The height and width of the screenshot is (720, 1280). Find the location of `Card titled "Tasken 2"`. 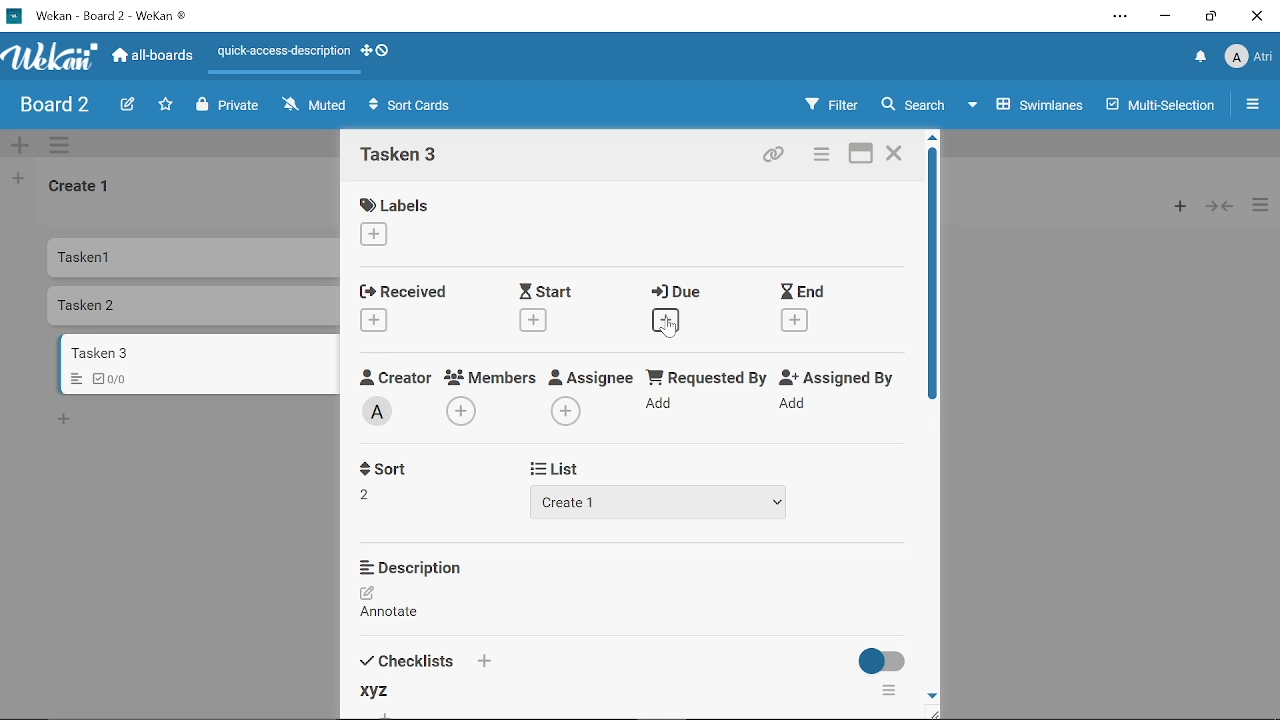

Card titled "Tasken 2" is located at coordinates (193, 307).